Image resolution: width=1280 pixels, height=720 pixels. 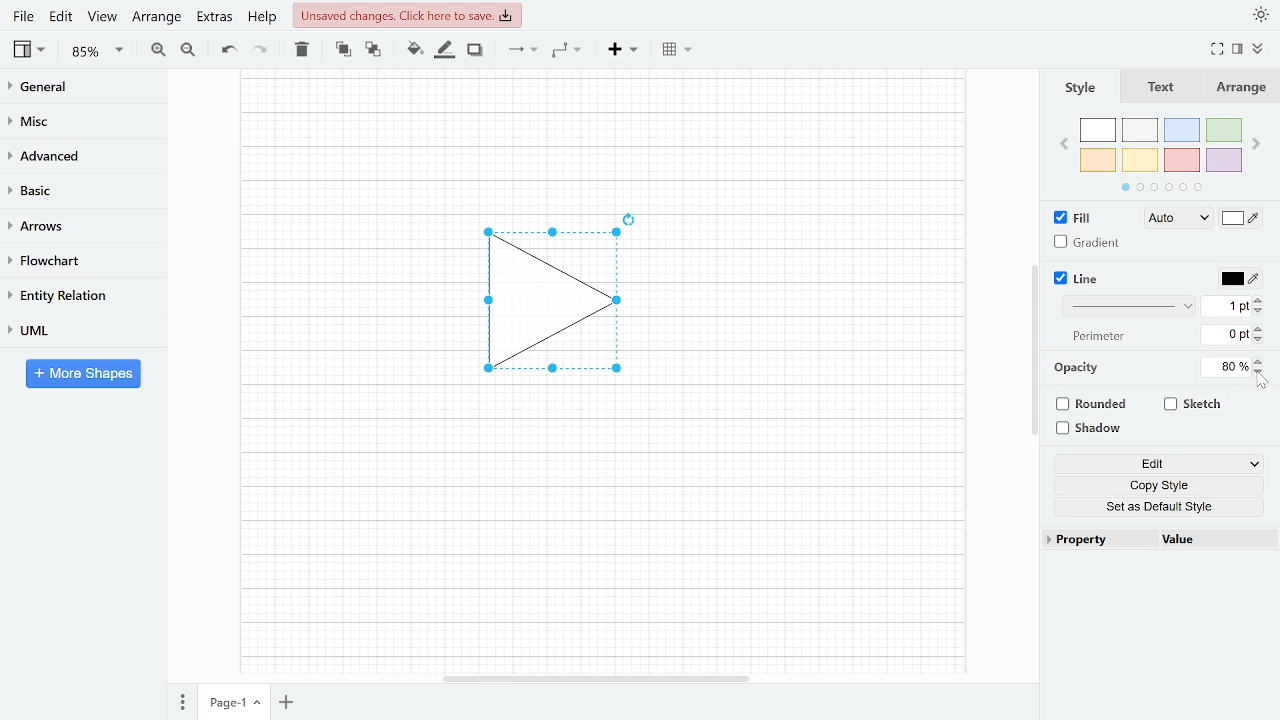 What do you see at coordinates (343, 49) in the screenshot?
I see `To front` at bounding box center [343, 49].